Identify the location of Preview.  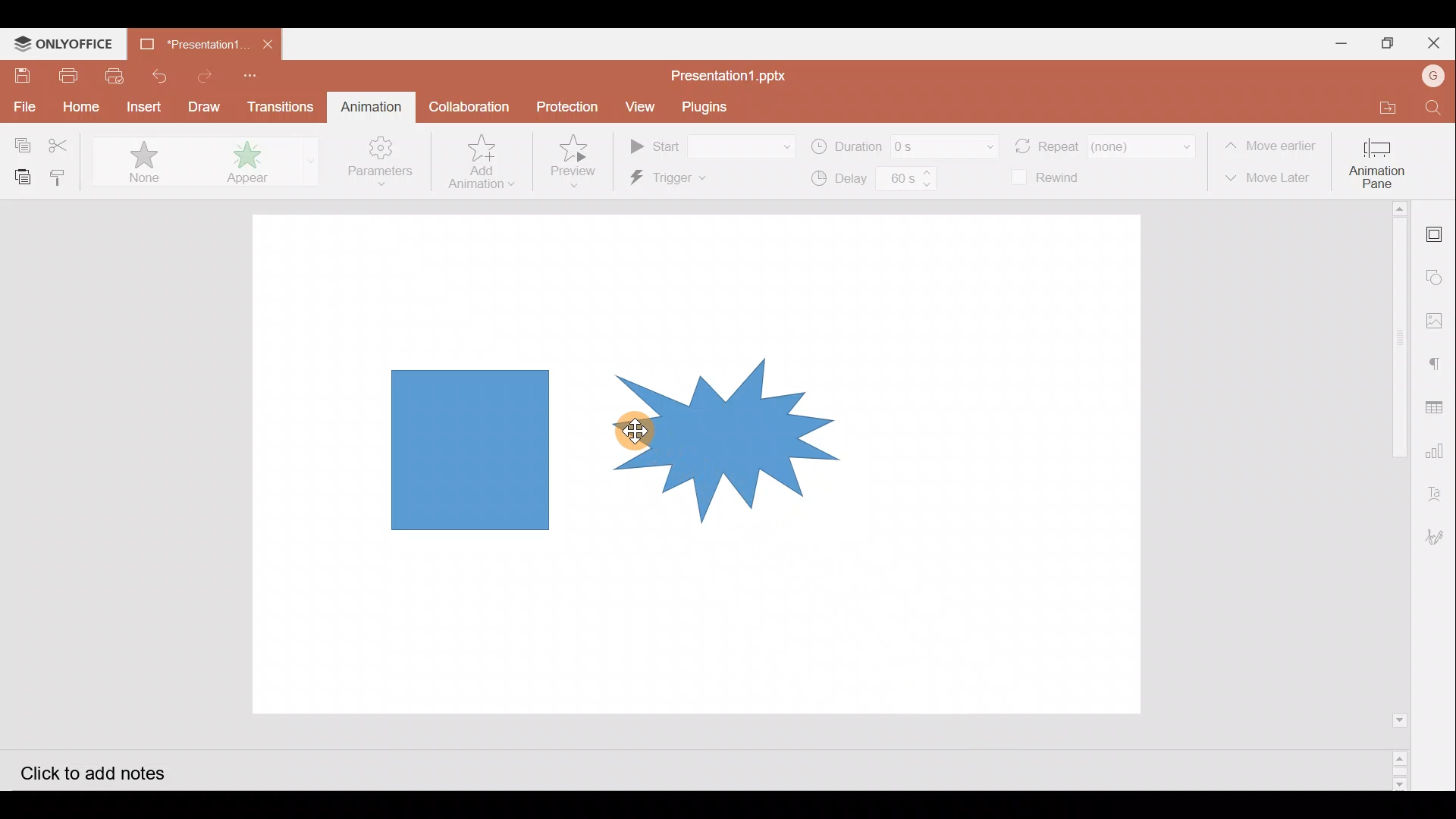
(574, 162).